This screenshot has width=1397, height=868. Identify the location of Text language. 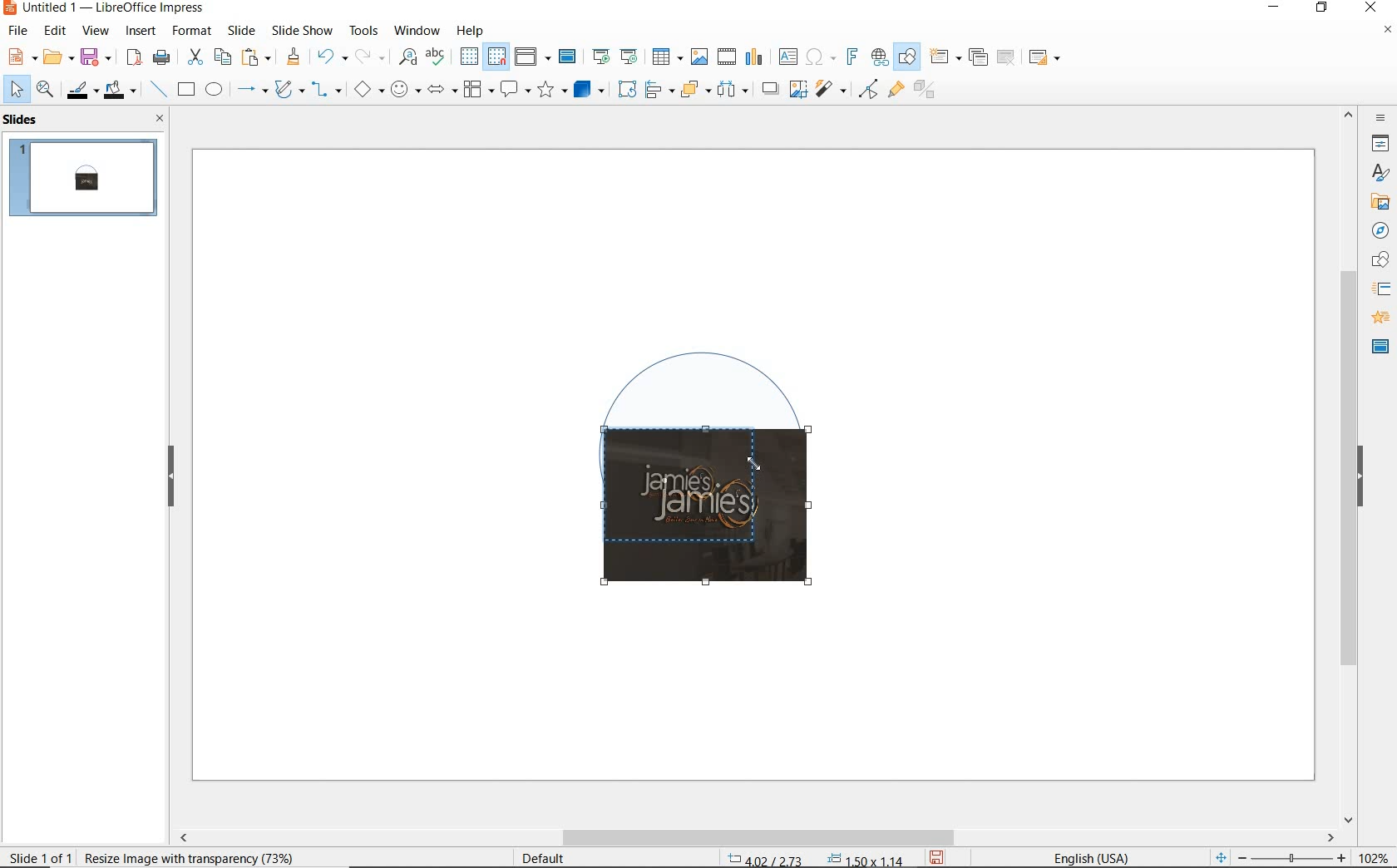
(1088, 856).